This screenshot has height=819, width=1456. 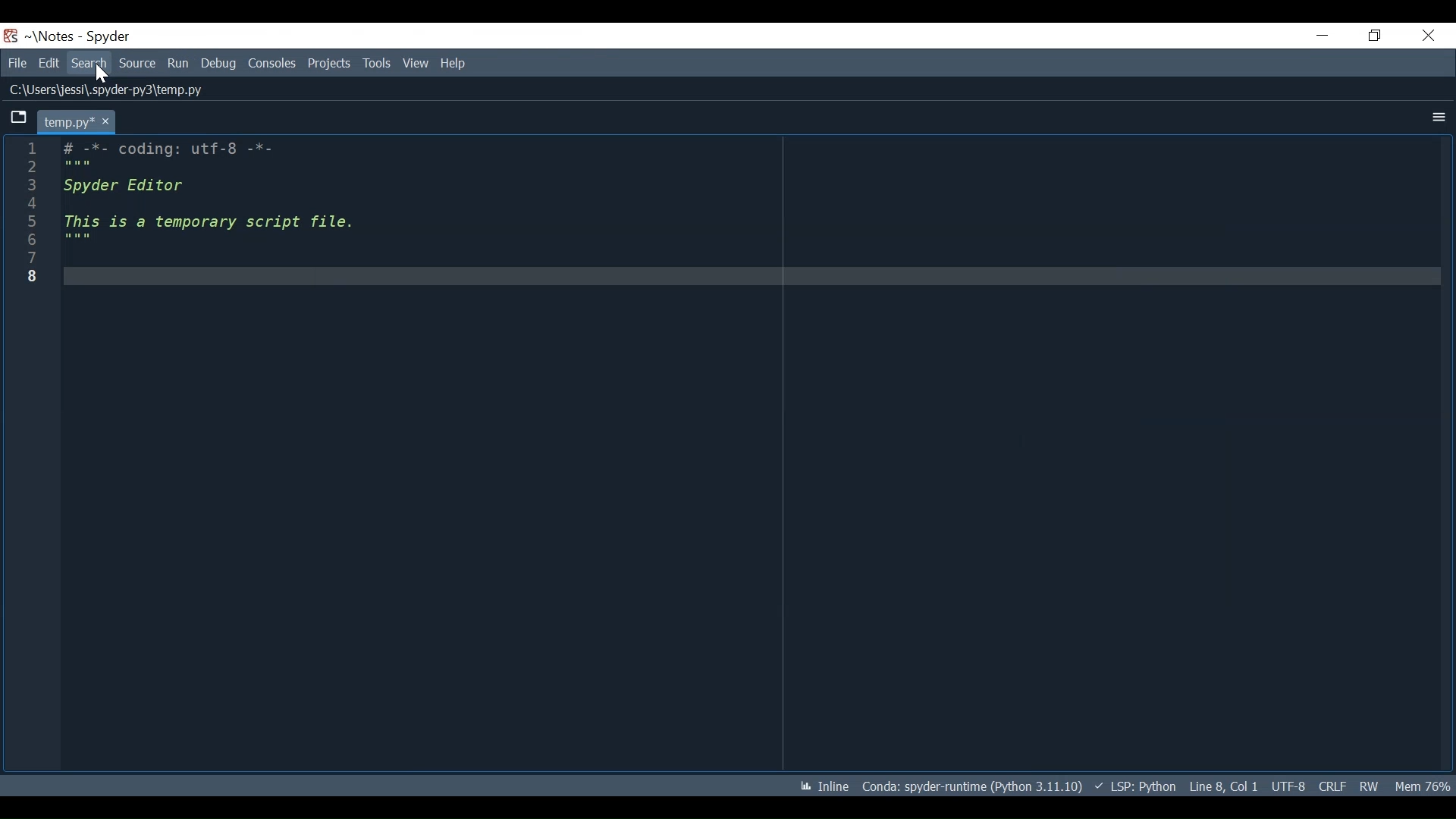 What do you see at coordinates (221, 63) in the screenshot?
I see `Debug` at bounding box center [221, 63].